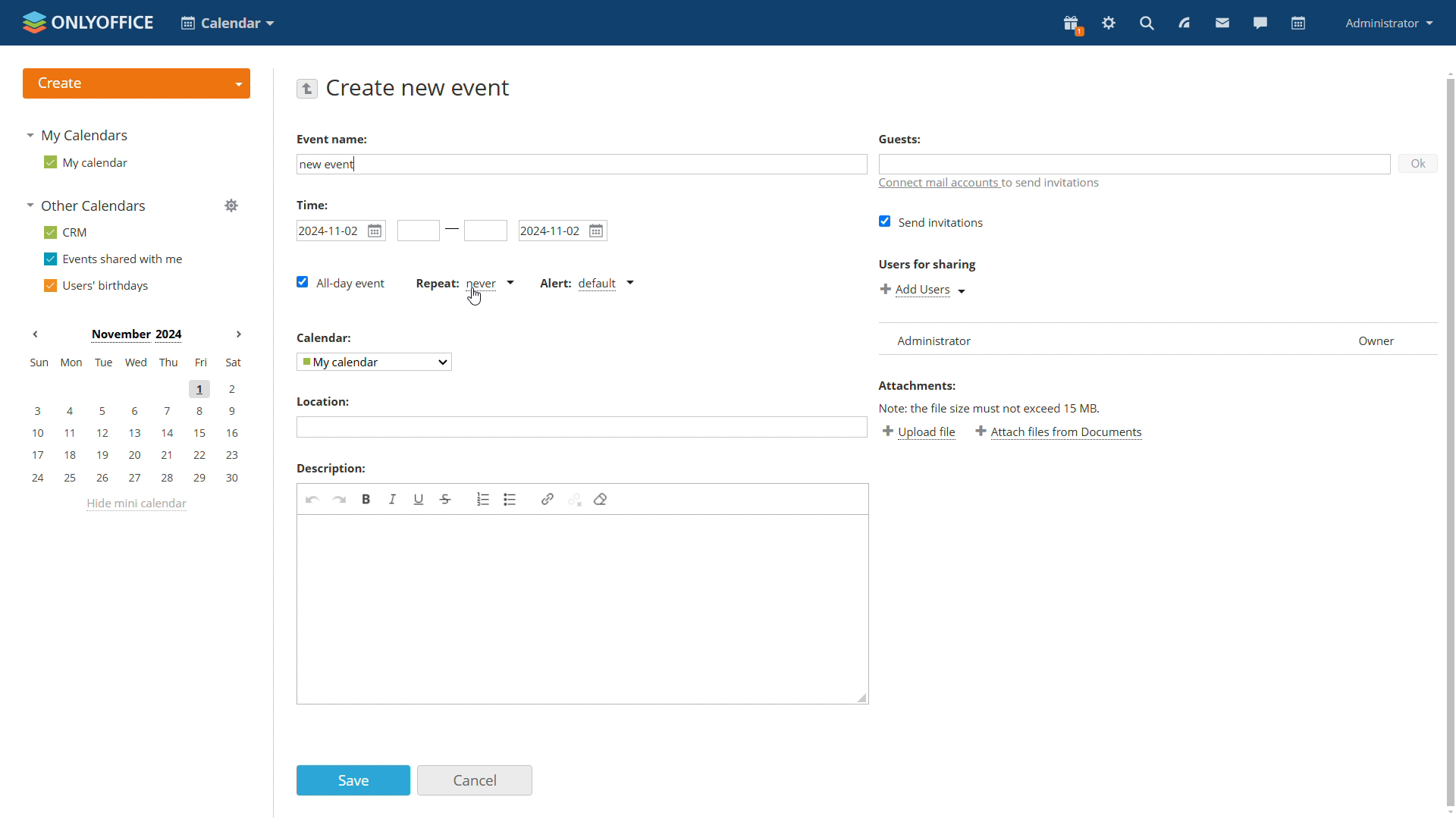 The height and width of the screenshot is (819, 1456). Describe the element at coordinates (1062, 433) in the screenshot. I see `attach files from documents` at that location.